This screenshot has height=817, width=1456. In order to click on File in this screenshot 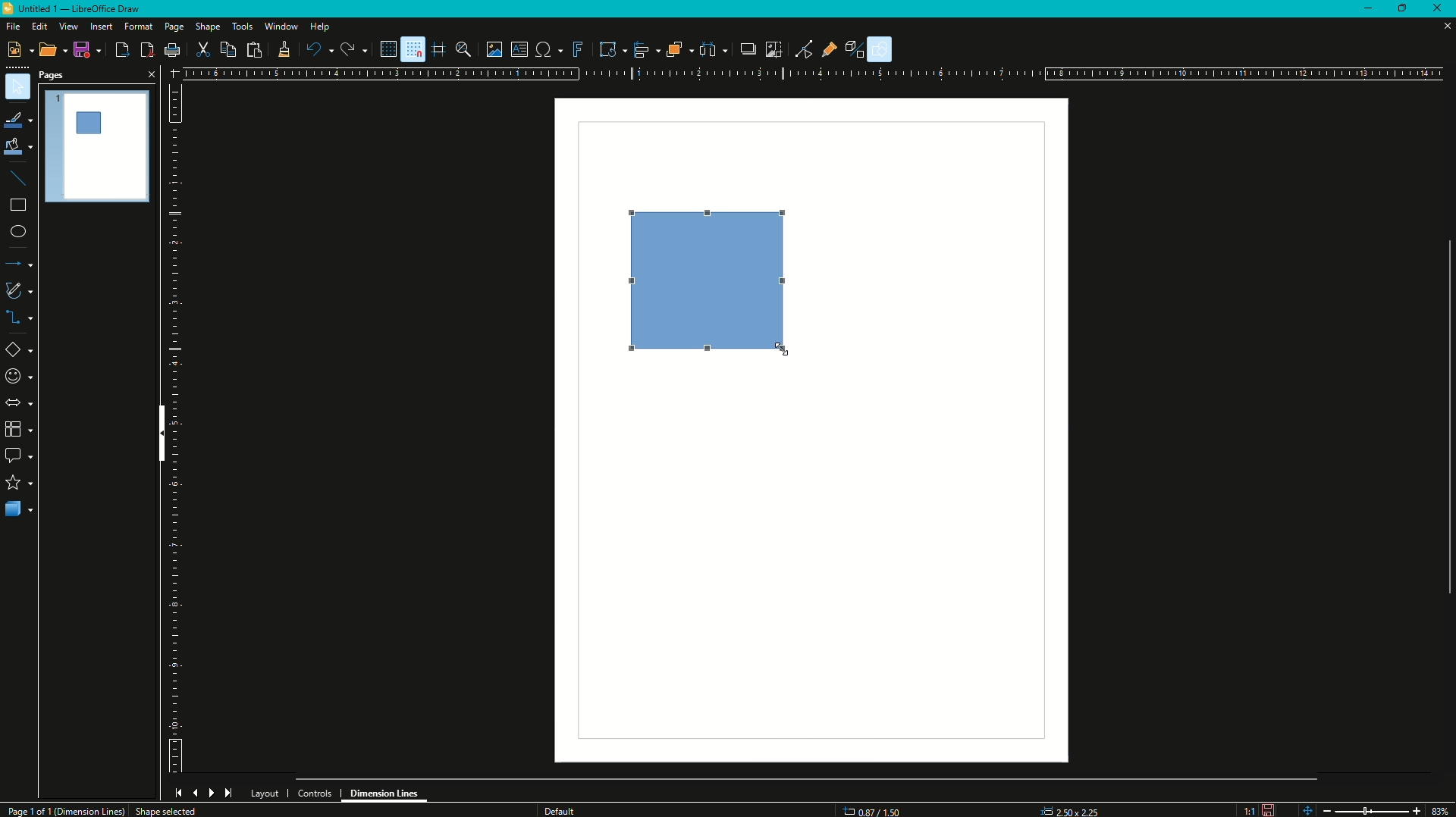, I will do `click(12, 27)`.